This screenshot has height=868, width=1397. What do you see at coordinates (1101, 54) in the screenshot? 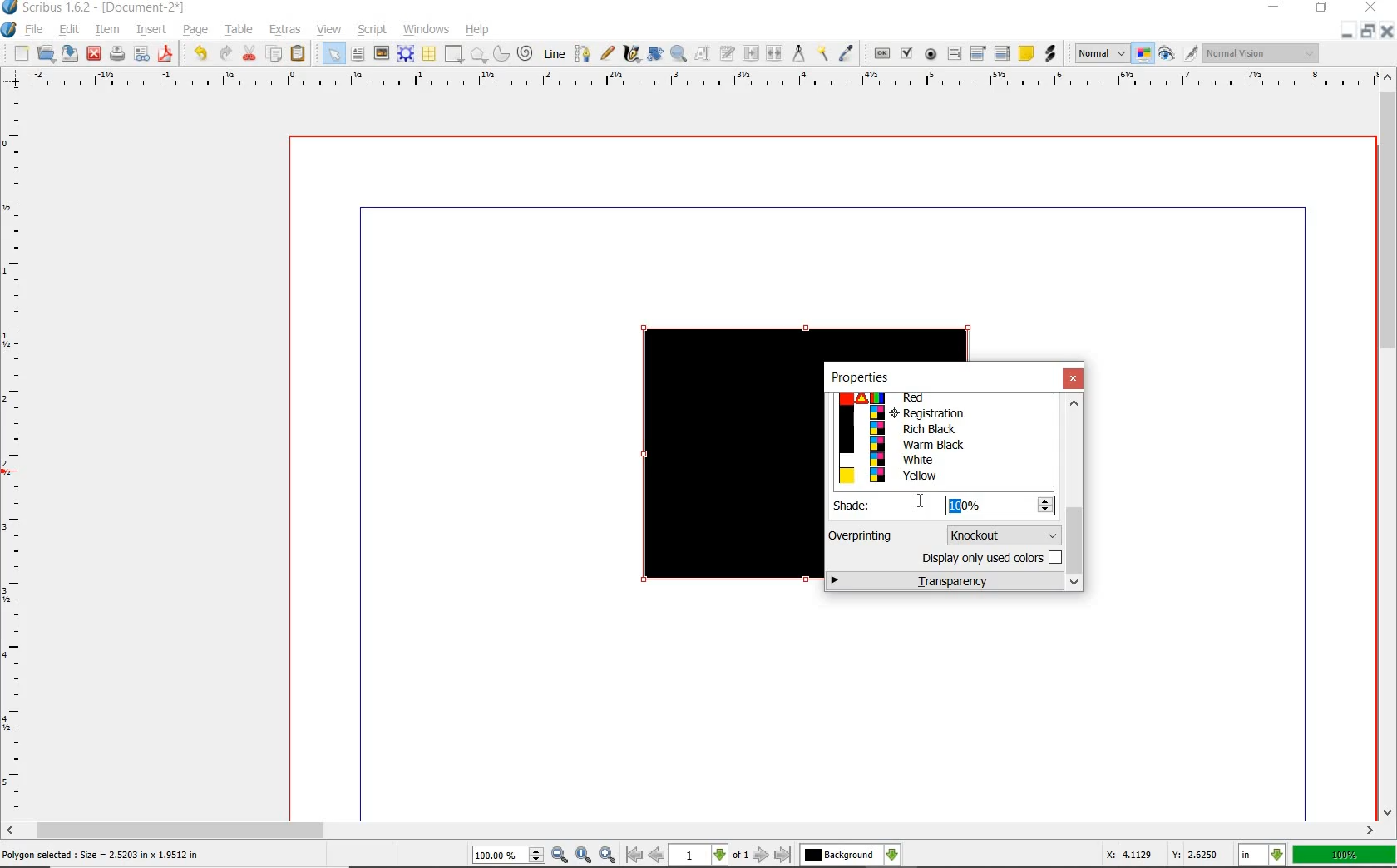
I see `image preview quality` at bounding box center [1101, 54].